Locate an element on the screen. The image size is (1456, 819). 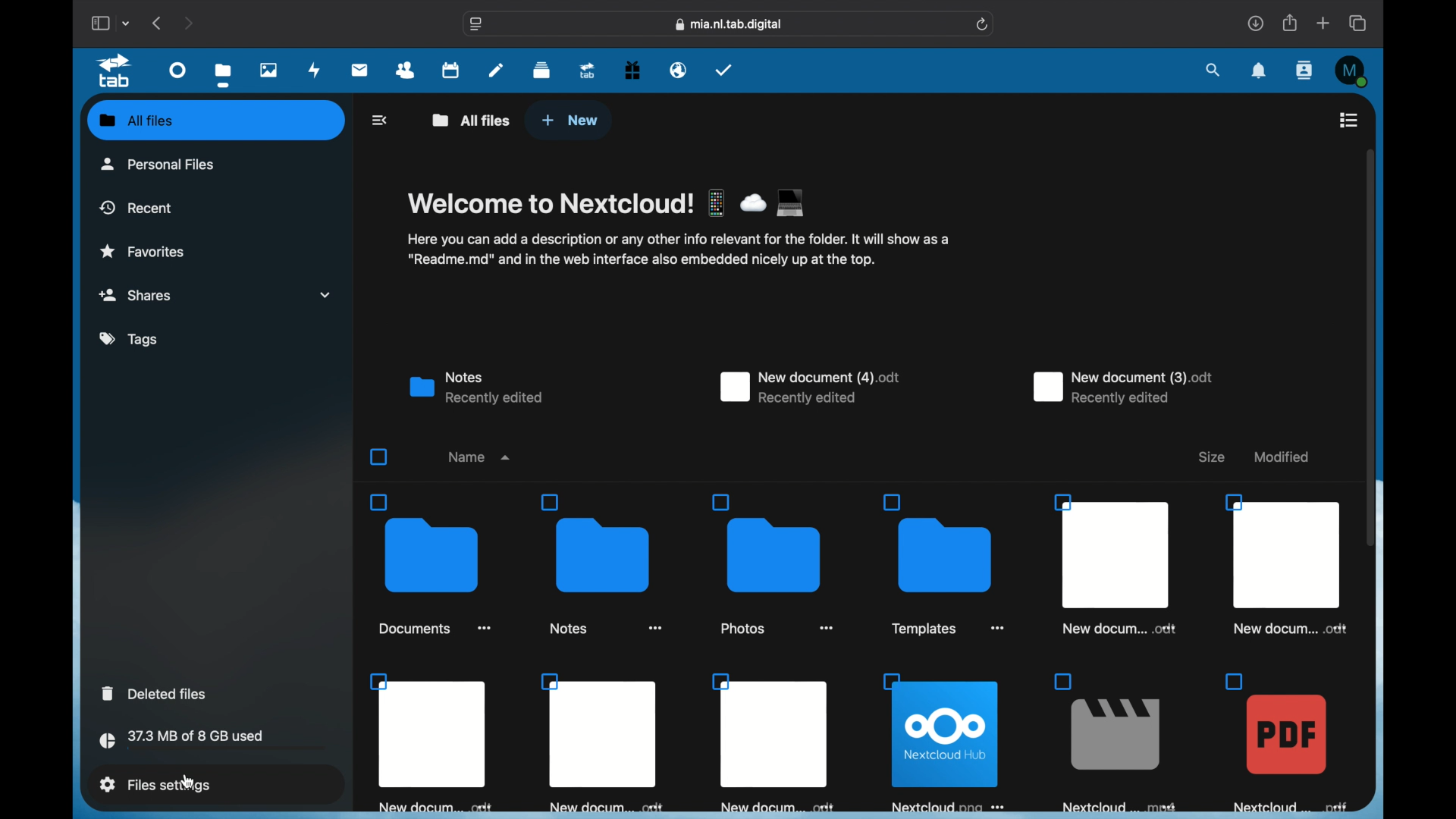
modified is located at coordinates (1280, 457).